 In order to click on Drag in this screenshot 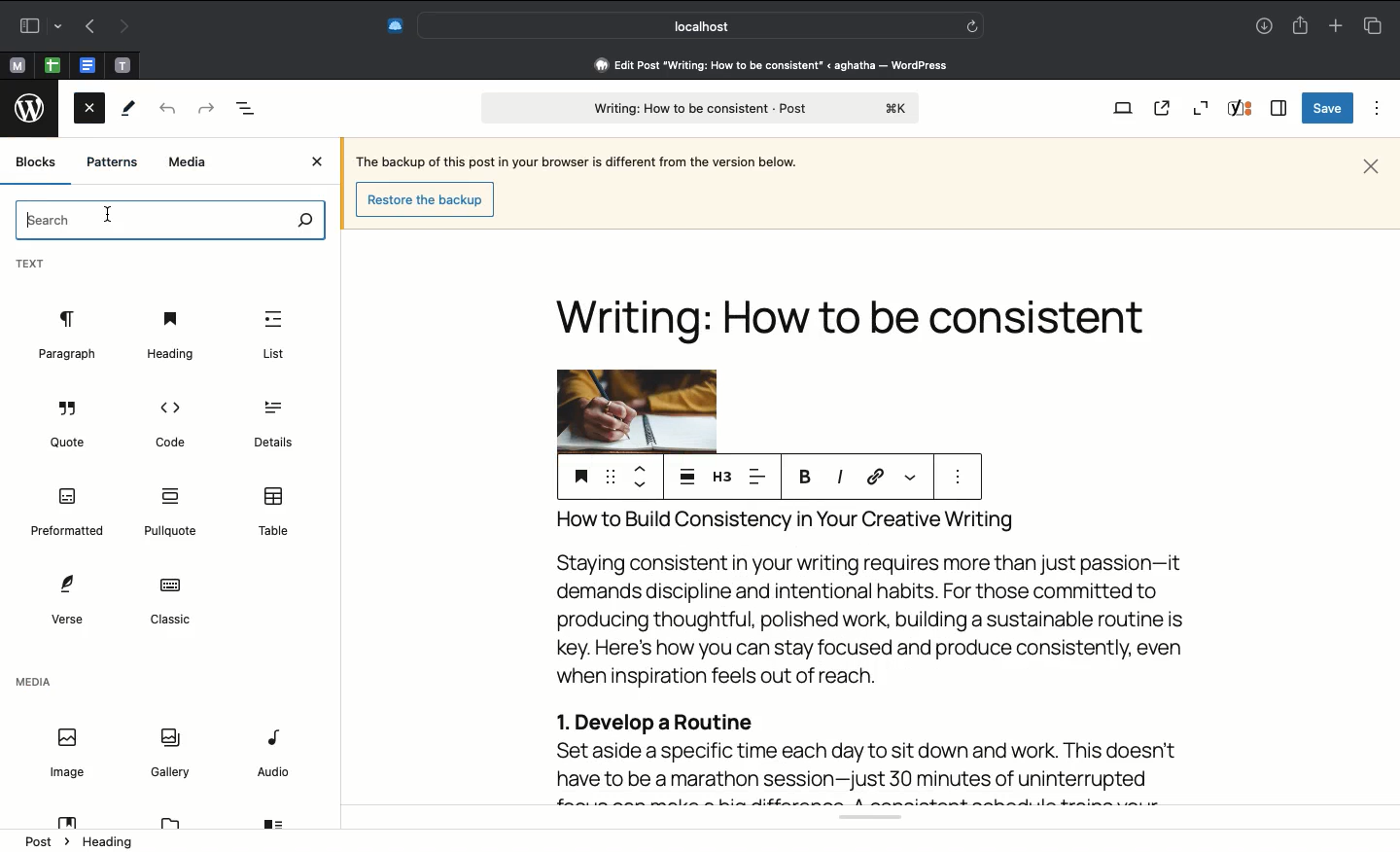, I will do `click(610, 474)`.